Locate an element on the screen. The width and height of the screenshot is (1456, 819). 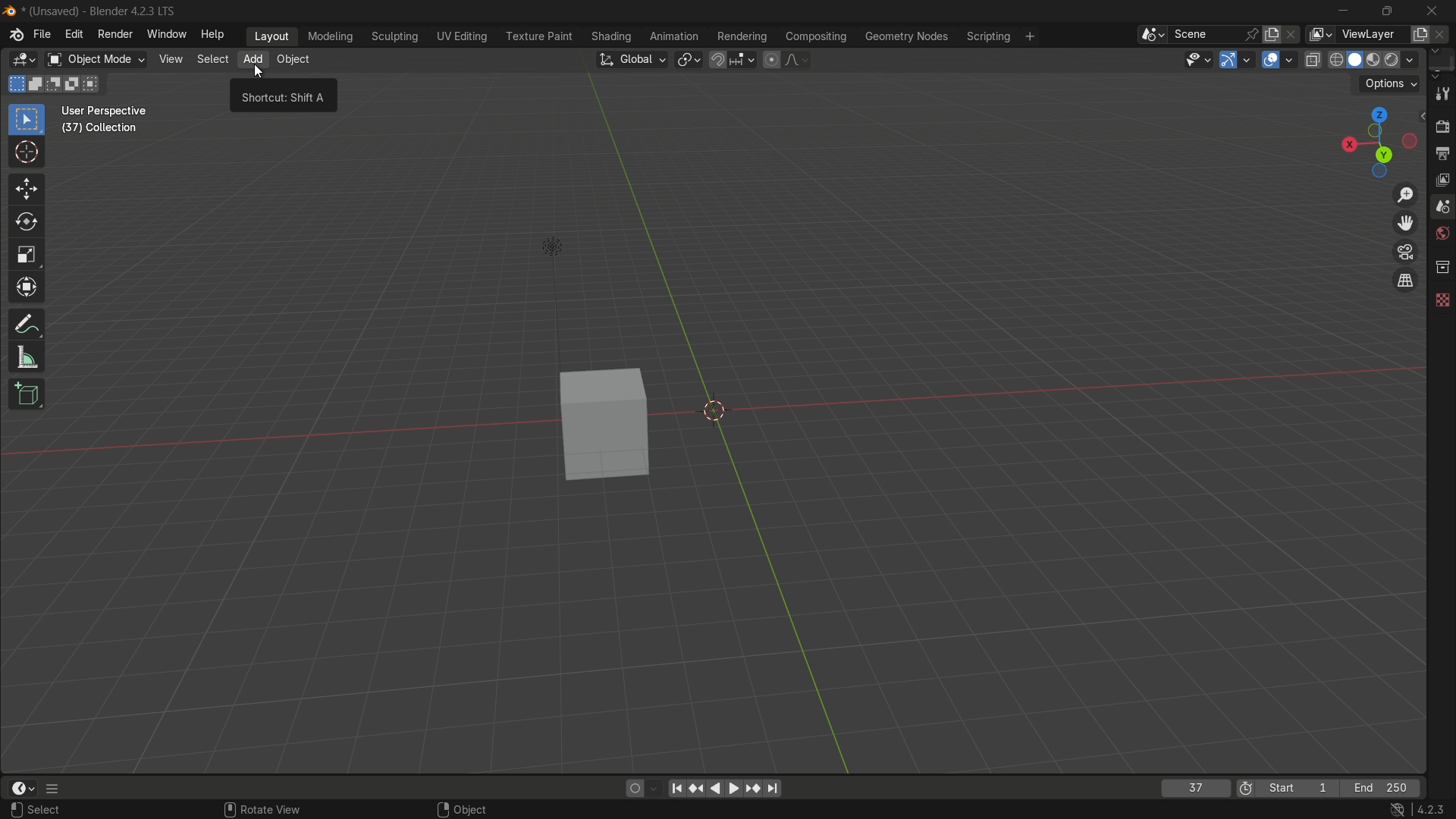
edit menu is located at coordinates (73, 36).